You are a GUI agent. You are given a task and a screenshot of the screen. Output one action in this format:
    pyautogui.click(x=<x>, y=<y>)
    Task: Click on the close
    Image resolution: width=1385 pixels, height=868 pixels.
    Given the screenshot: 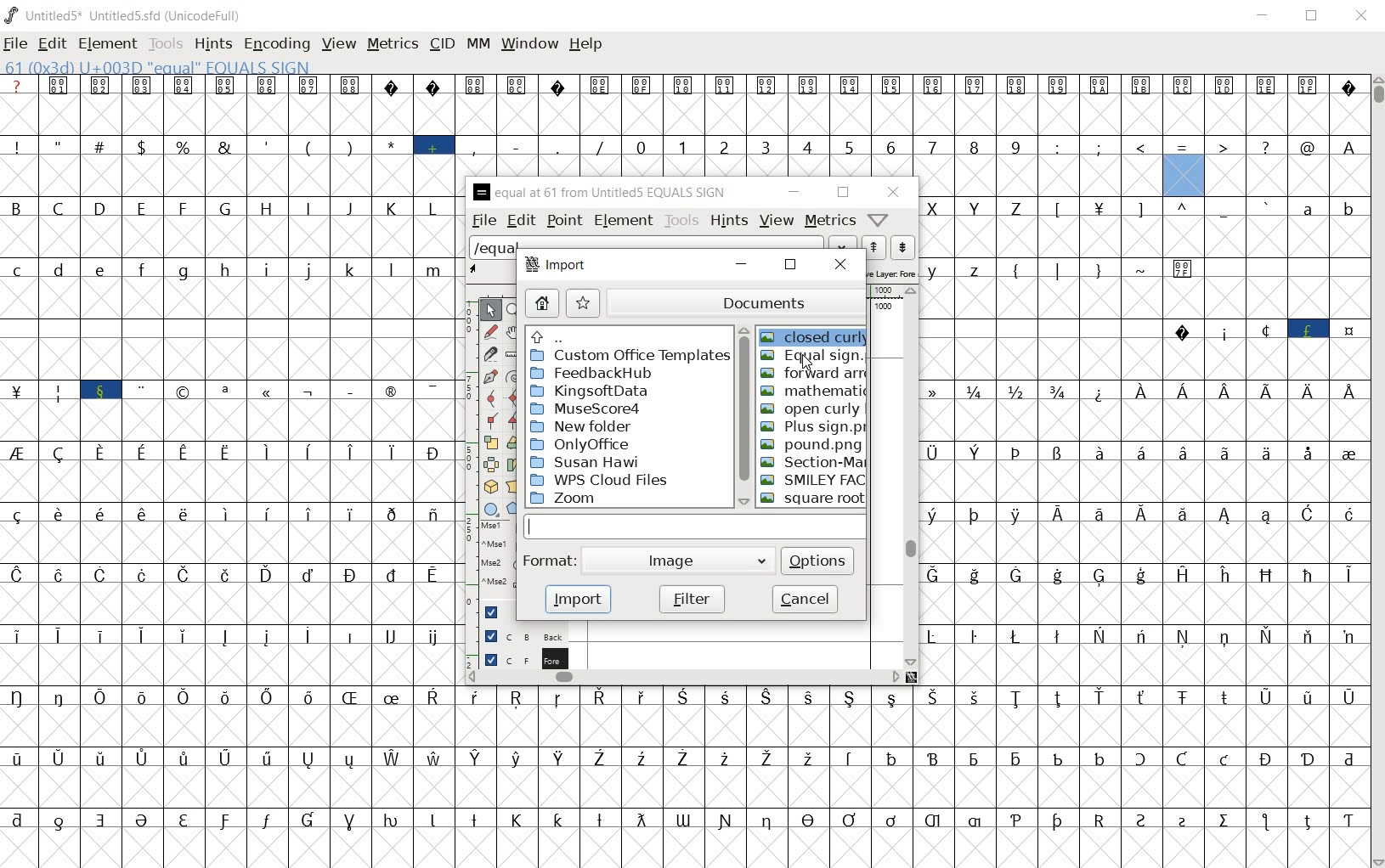 What is the action you would take?
    pyautogui.click(x=1361, y=17)
    